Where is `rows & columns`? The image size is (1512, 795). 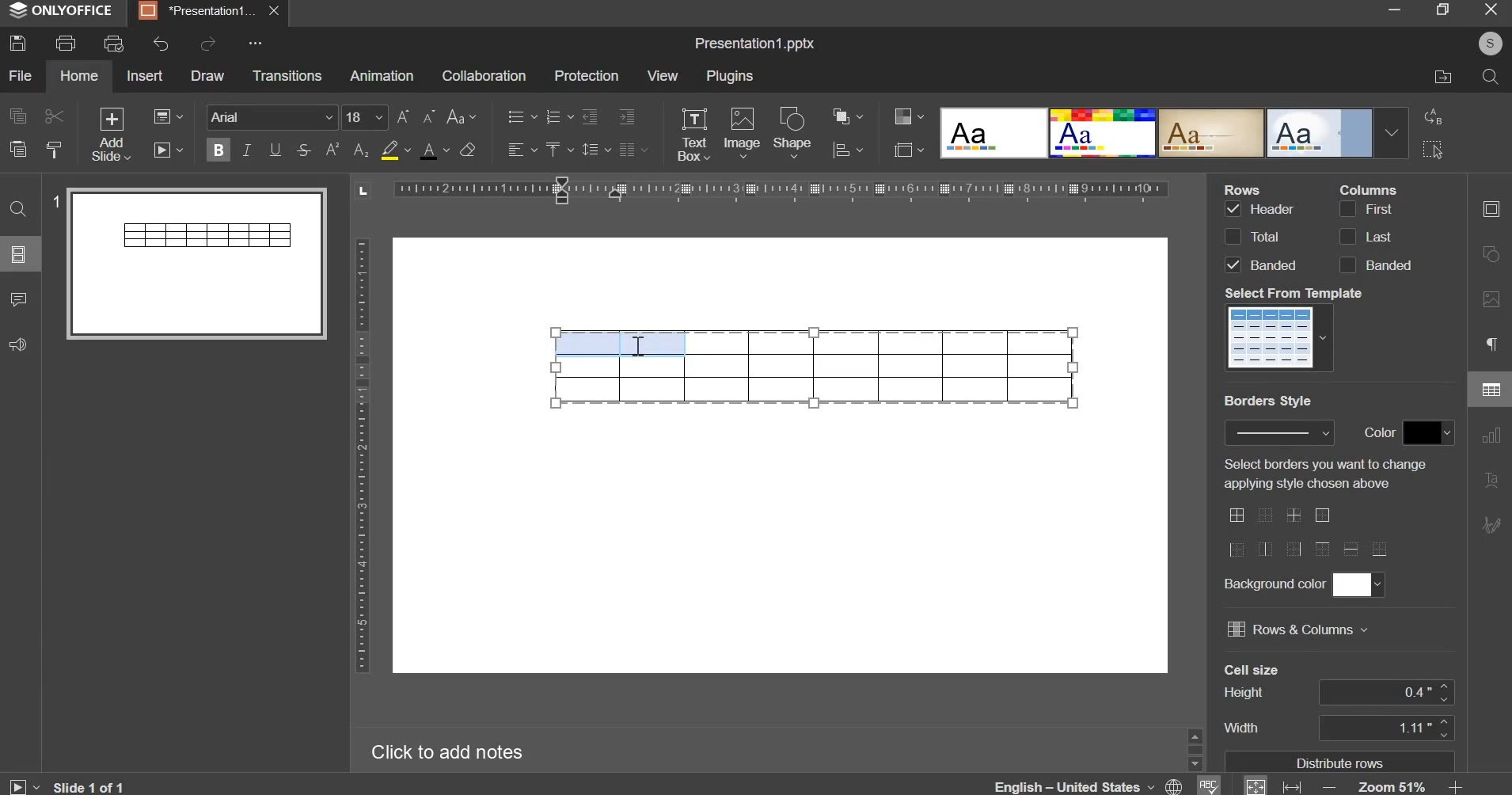 rows & columns is located at coordinates (1297, 629).